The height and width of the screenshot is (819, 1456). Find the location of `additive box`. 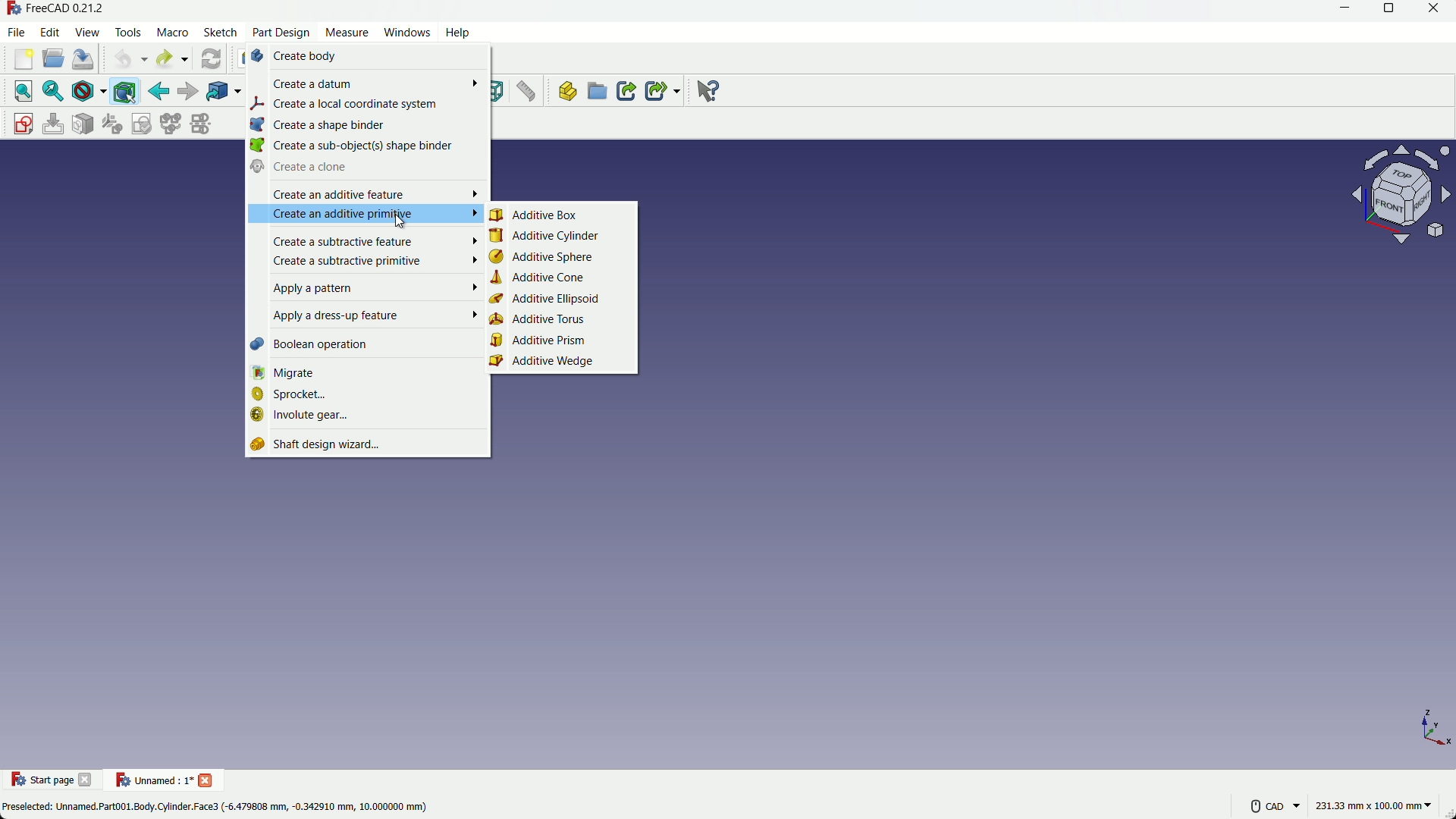

additive box is located at coordinates (567, 215).